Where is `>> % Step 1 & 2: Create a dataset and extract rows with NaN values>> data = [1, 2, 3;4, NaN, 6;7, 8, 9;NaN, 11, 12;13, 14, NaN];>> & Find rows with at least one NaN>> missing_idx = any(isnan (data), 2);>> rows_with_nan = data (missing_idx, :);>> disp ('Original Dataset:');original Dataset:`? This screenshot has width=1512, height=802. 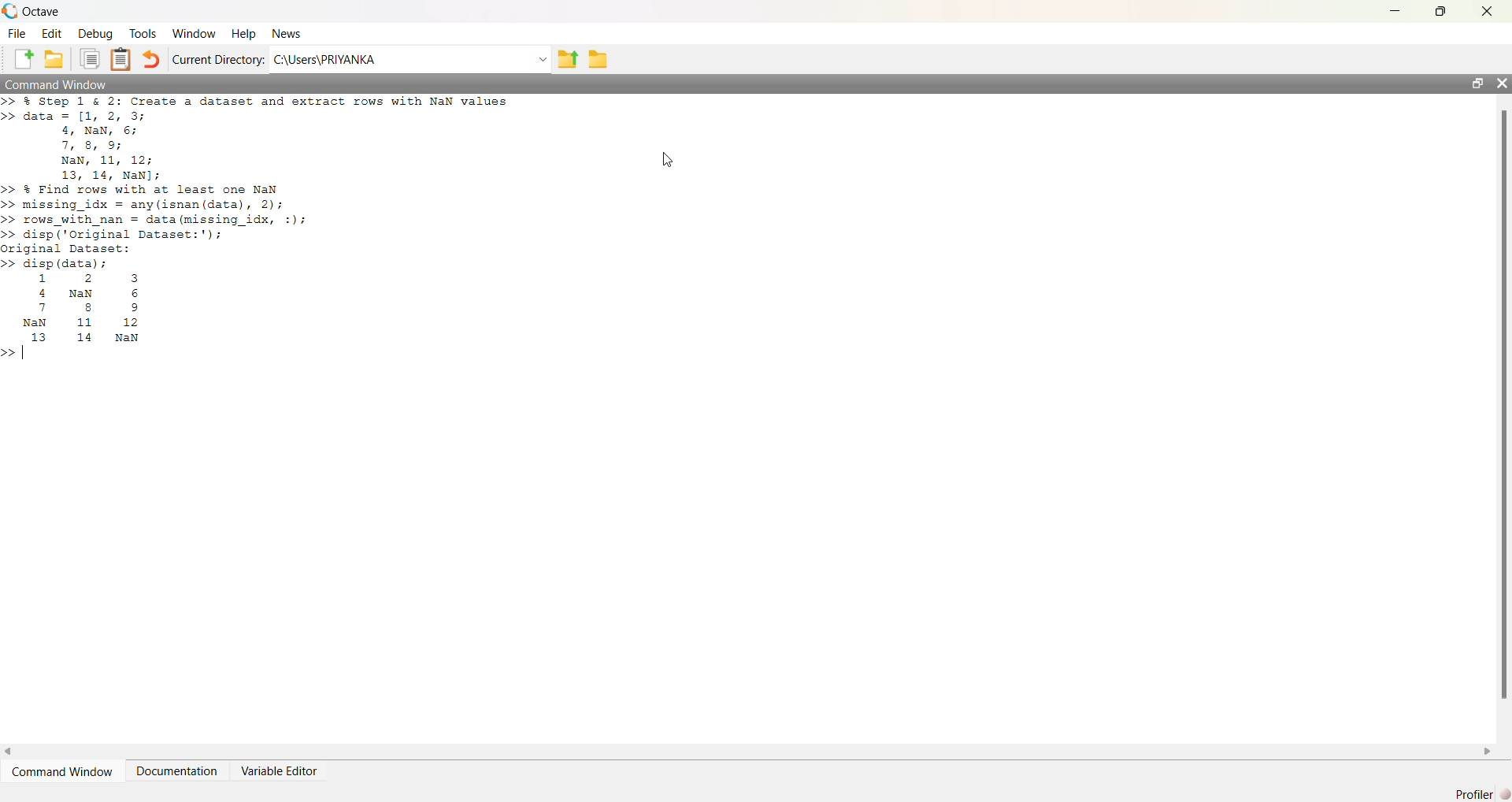 >> % Step 1 & 2: Create a dataset and extract rows with NaN values>> data = [1, 2, 3;4, NaN, 6;7, 8, 9;NaN, 11, 12;13, 14, NaN];>> & Find rows with at least one NaN>> missing_idx = any(isnan (data), 2);>> rows_with_nan = data (missing_idx, :);>> disp ('Original Dataset:');original Dataset: is located at coordinates (259, 174).